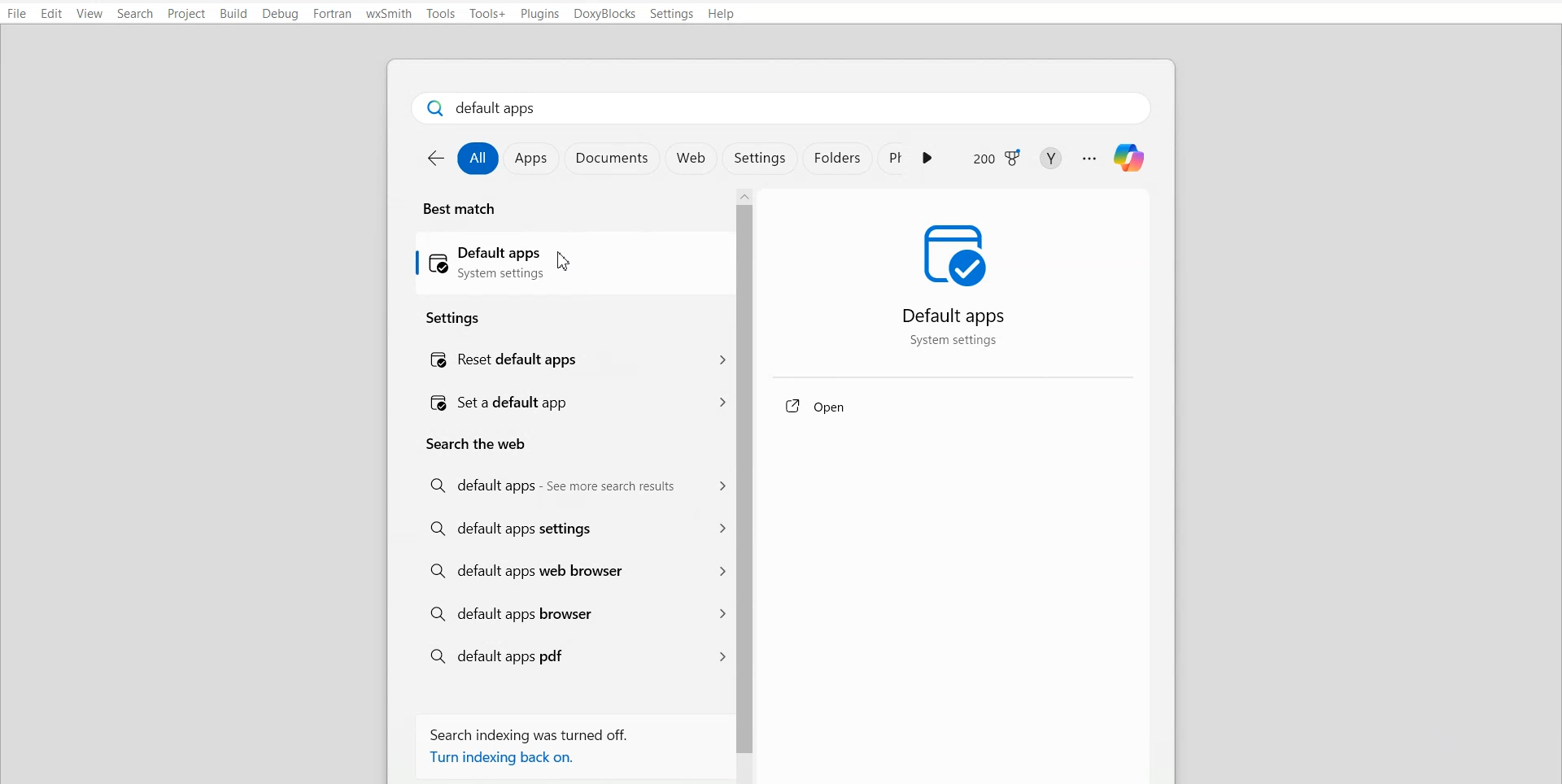 The image size is (1562, 784). What do you see at coordinates (1014, 158) in the screenshot?
I see `Logo` at bounding box center [1014, 158].